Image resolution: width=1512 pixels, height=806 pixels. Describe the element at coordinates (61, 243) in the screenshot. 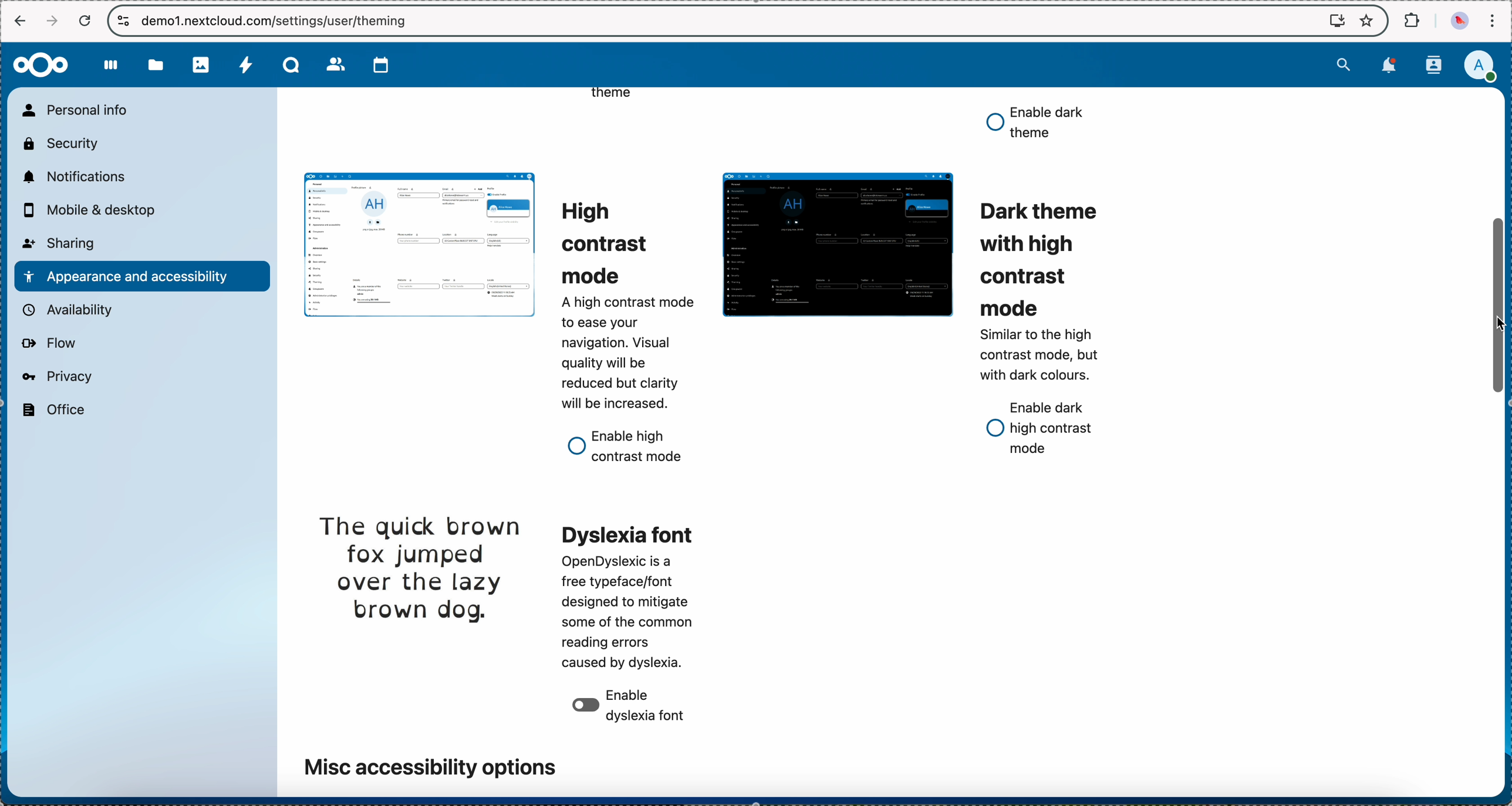

I see `sharing` at that location.